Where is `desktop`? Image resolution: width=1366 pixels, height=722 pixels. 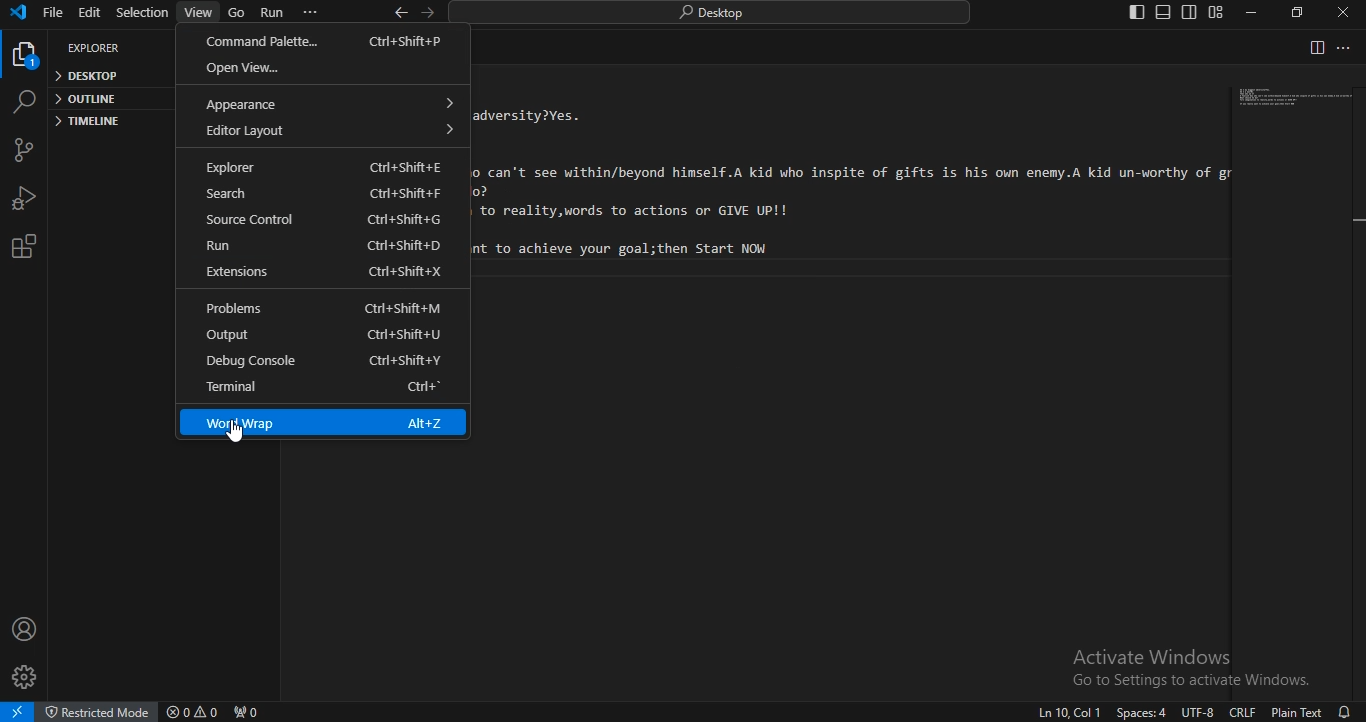
desktop is located at coordinates (89, 77).